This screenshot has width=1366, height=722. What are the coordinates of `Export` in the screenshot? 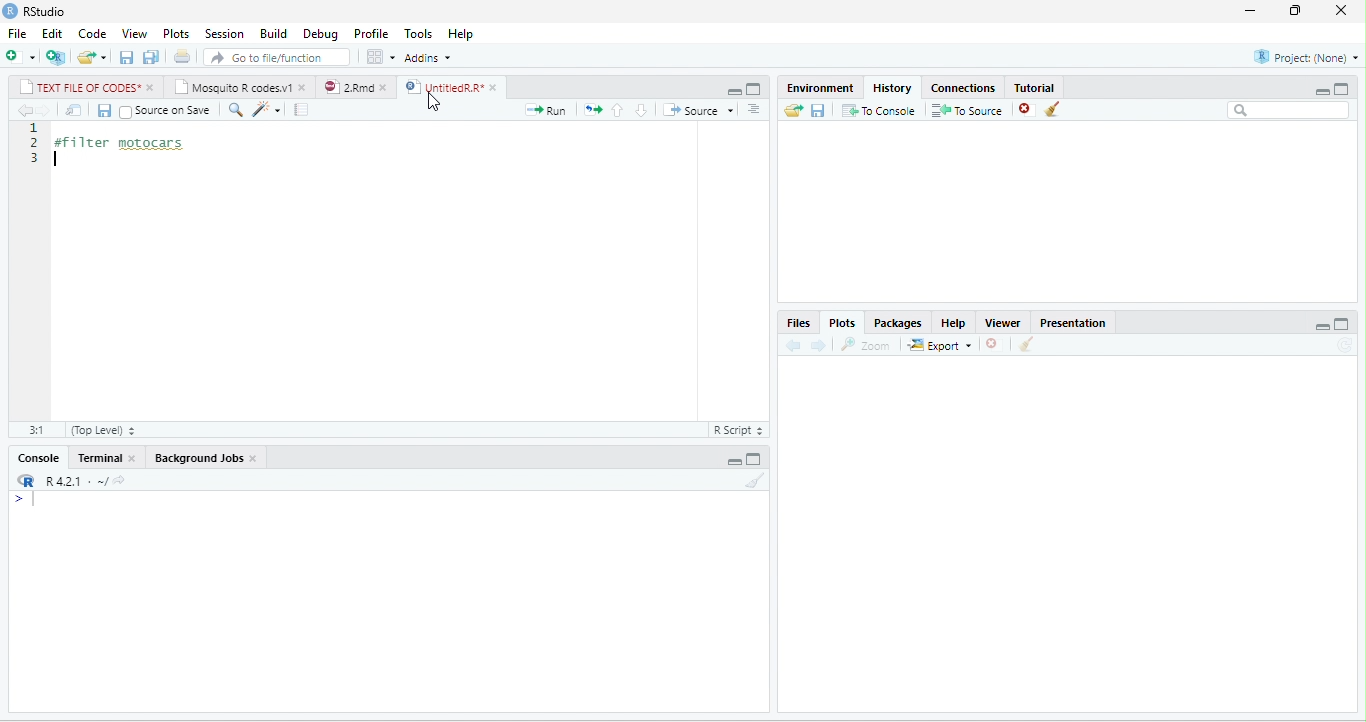 It's located at (939, 345).